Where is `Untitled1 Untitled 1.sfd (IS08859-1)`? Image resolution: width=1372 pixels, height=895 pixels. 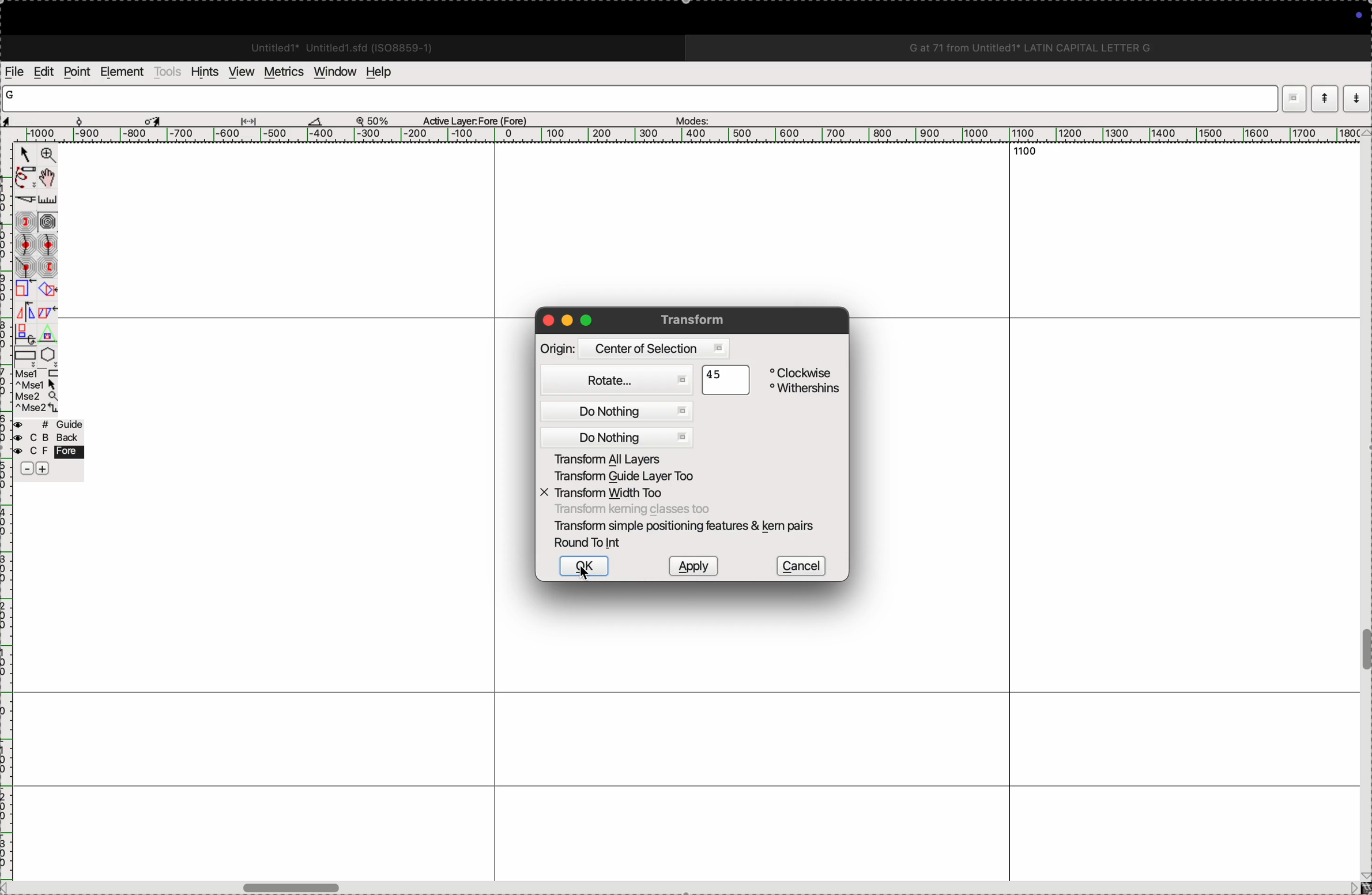
Untitled1 Untitled 1.sfd (IS08859-1) is located at coordinates (333, 46).